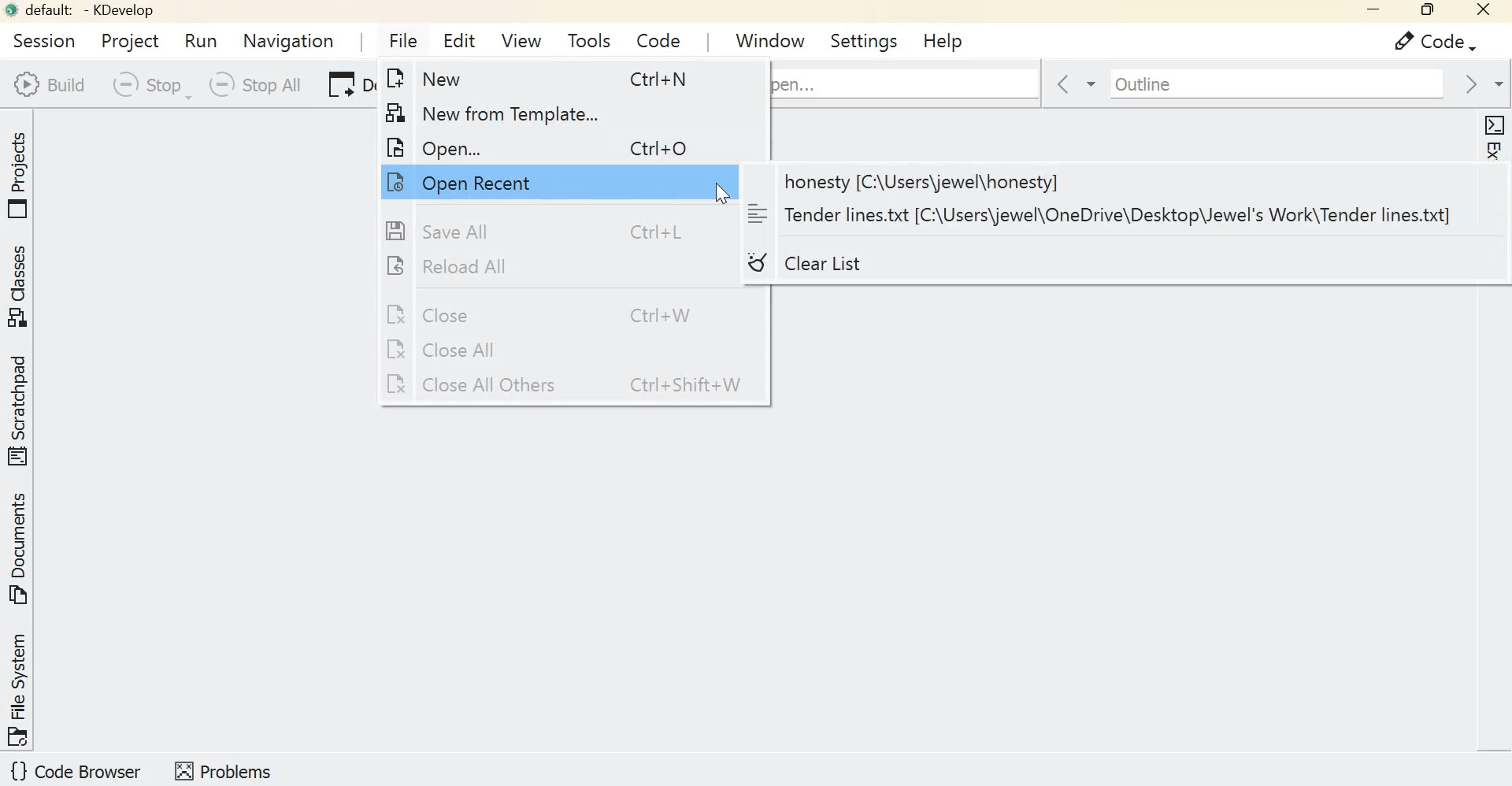 This screenshot has height=786, width=1512. What do you see at coordinates (290, 40) in the screenshot?
I see `Navigation` at bounding box center [290, 40].